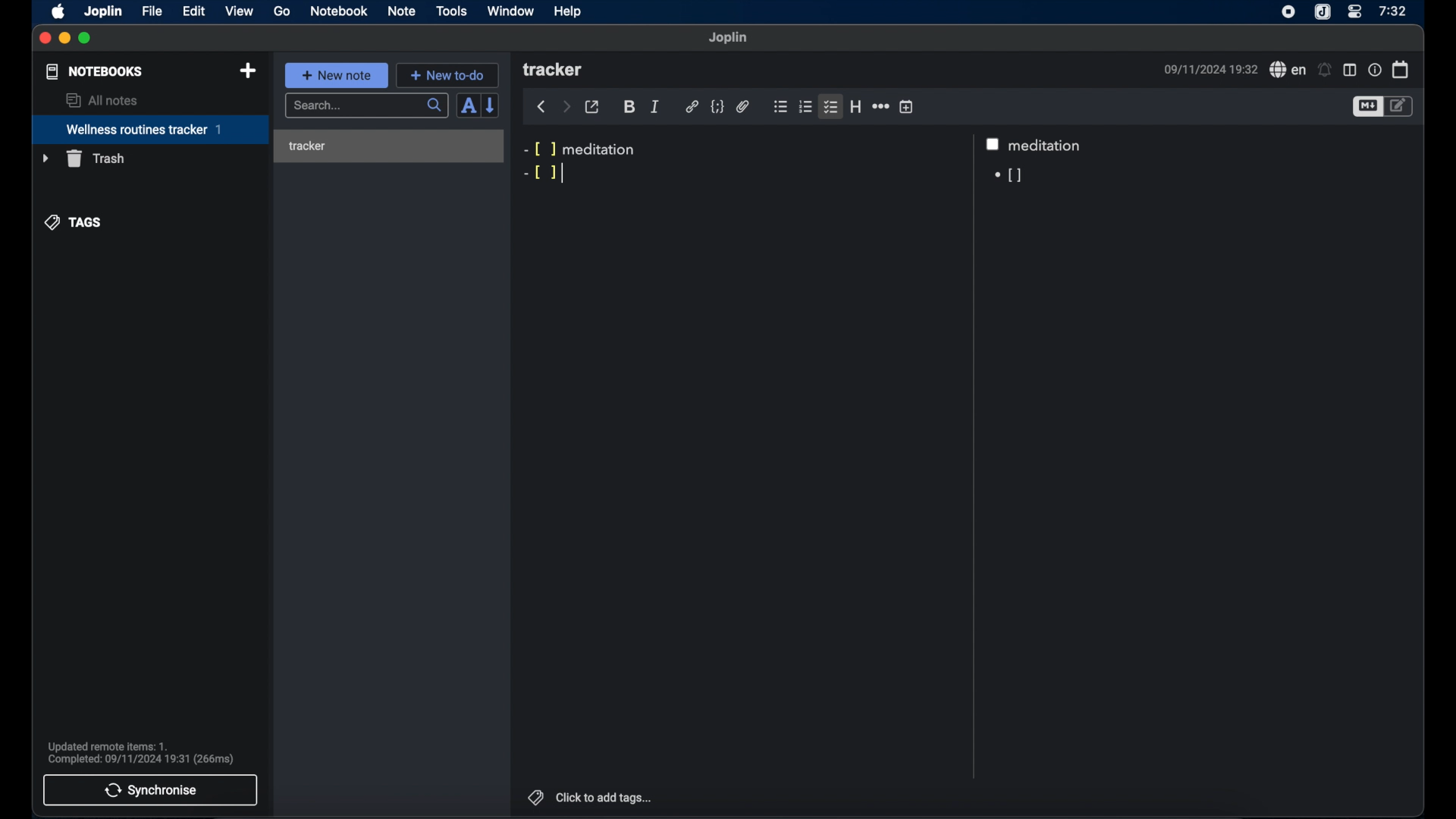 Image resolution: width=1456 pixels, height=819 pixels. What do you see at coordinates (582, 148) in the screenshot?
I see `-[ ] meditation` at bounding box center [582, 148].